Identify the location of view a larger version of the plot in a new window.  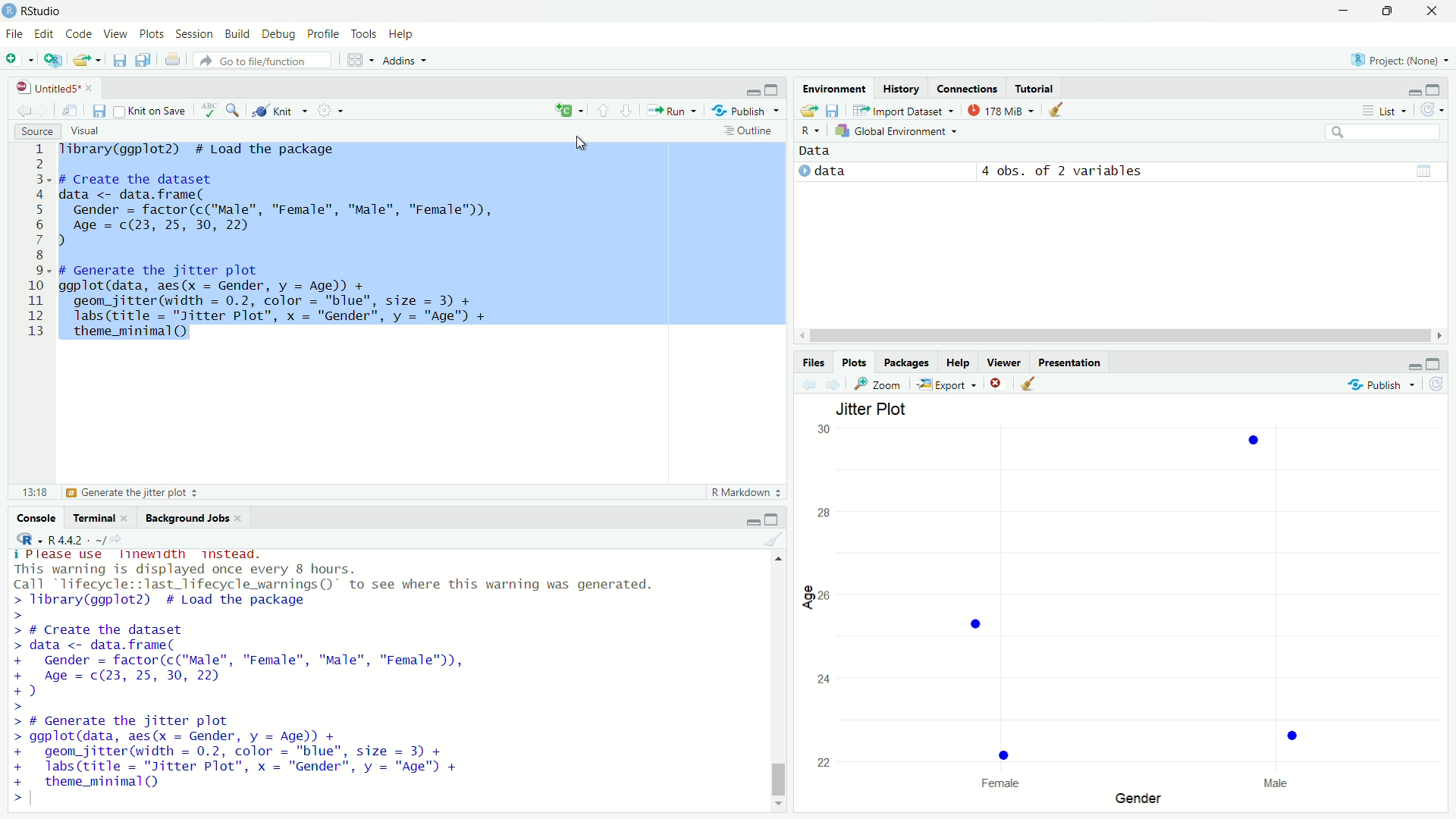
(883, 385).